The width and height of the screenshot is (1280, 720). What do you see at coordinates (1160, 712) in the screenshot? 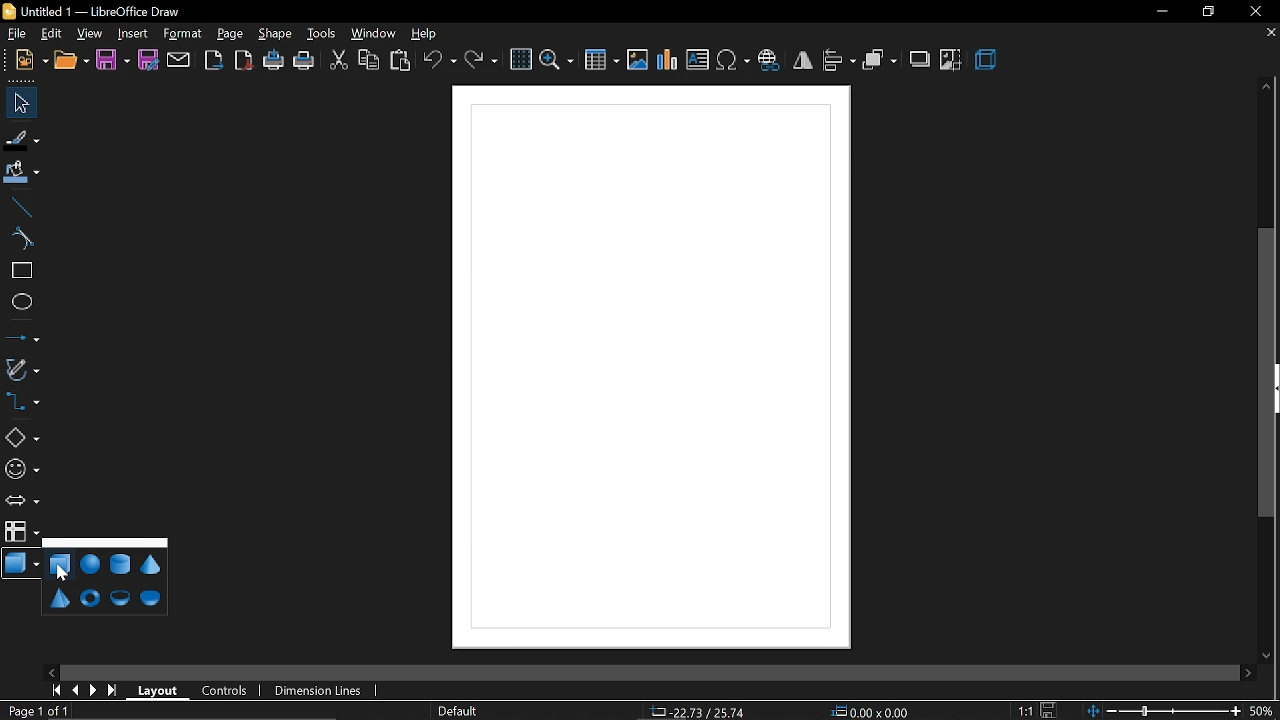
I see `change zoom` at bounding box center [1160, 712].